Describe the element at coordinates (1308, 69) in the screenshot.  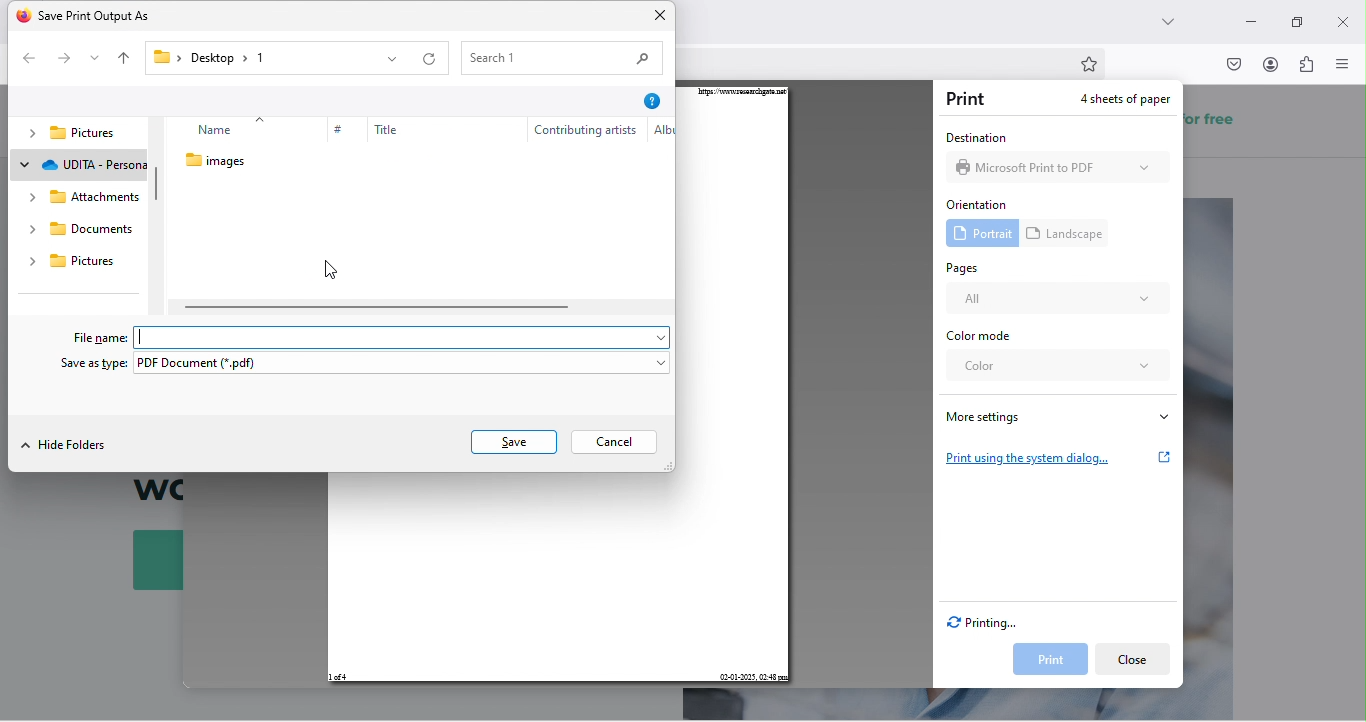
I see `extension` at that location.